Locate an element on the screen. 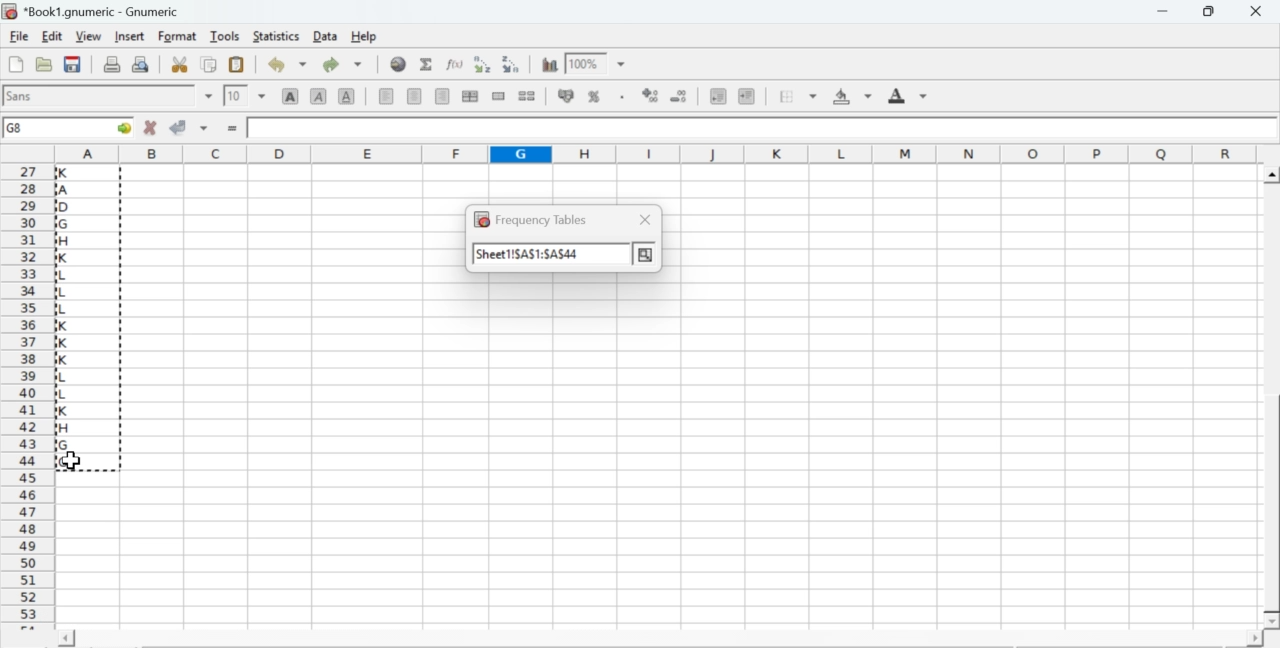 The width and height of the screenshot is (1280, 648). drop down is located at coordinates (210, 96).